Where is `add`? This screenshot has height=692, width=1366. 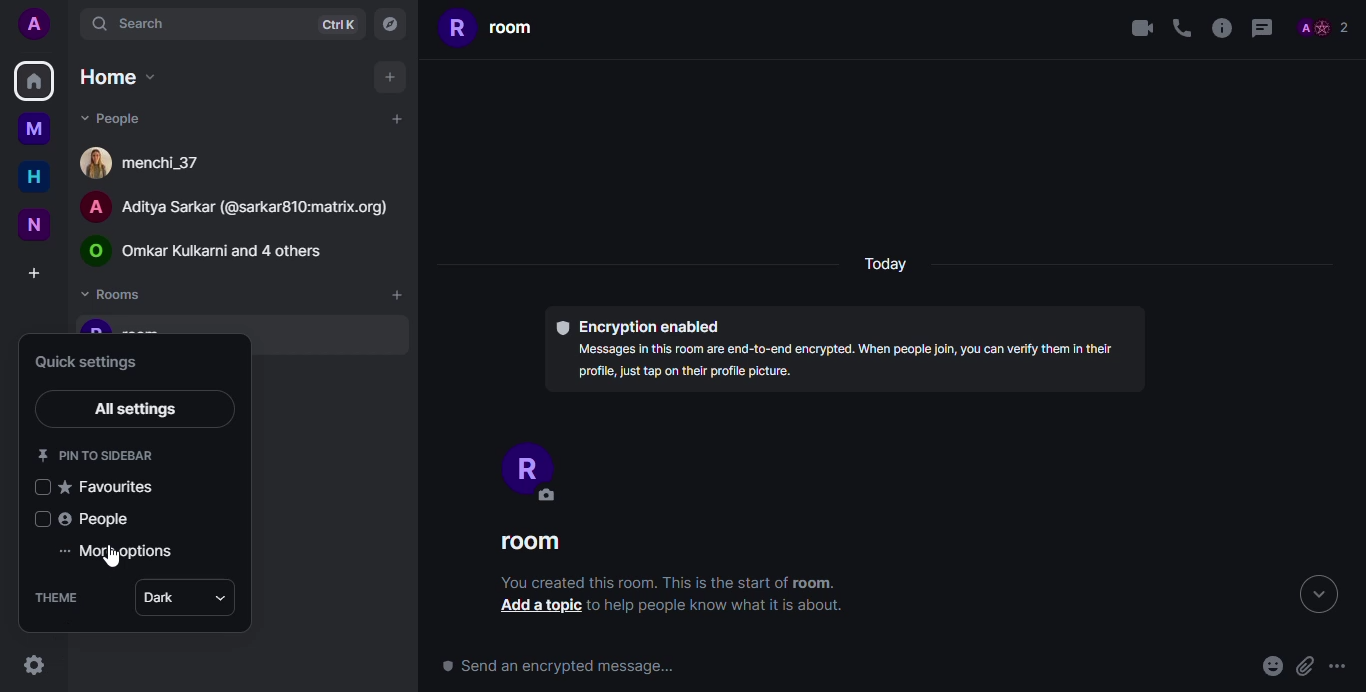 add is located at coordinates (393, 118).